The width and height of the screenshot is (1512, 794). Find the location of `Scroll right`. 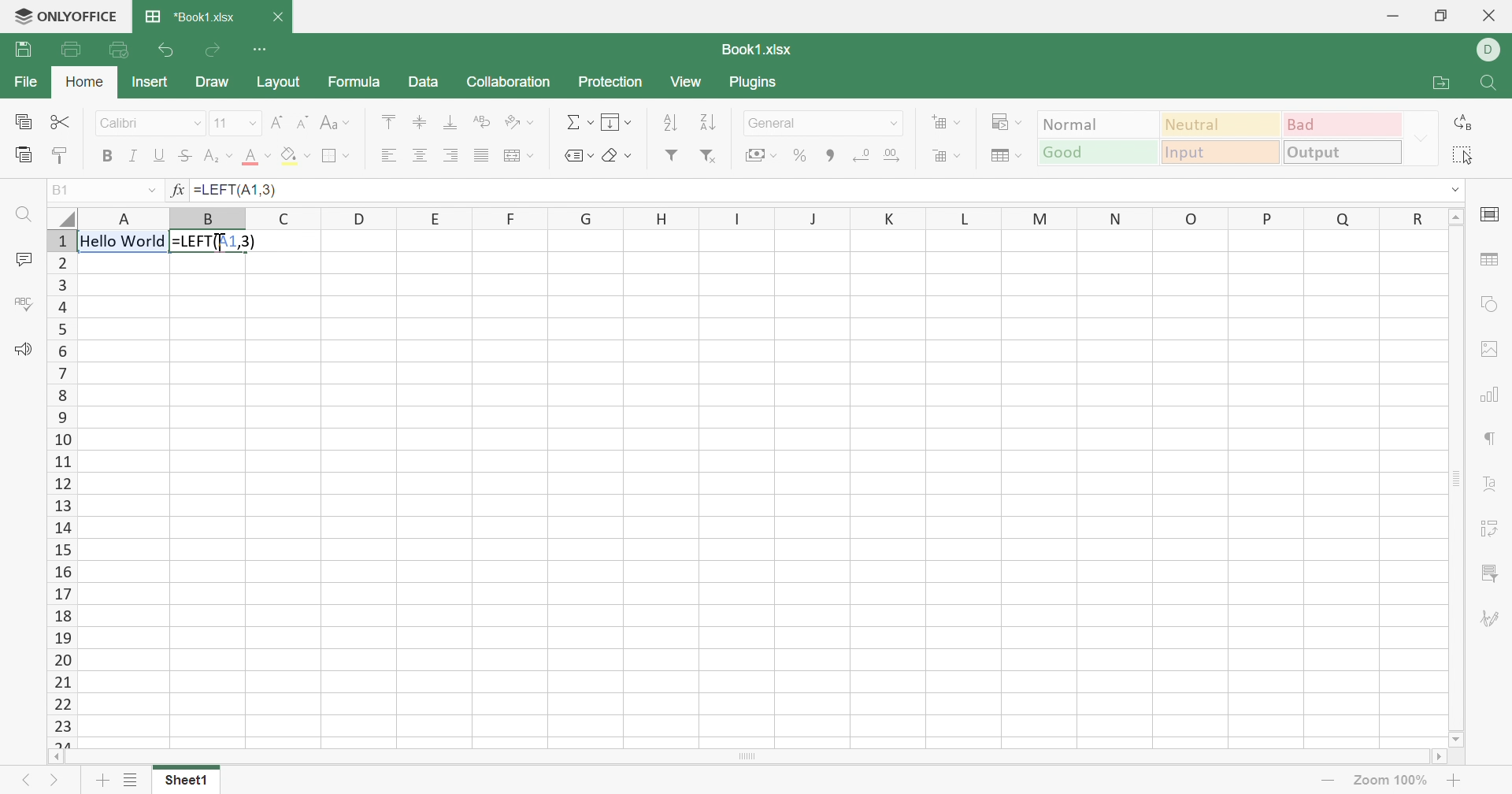

Scroll right is located at coordinates (1437, 755).